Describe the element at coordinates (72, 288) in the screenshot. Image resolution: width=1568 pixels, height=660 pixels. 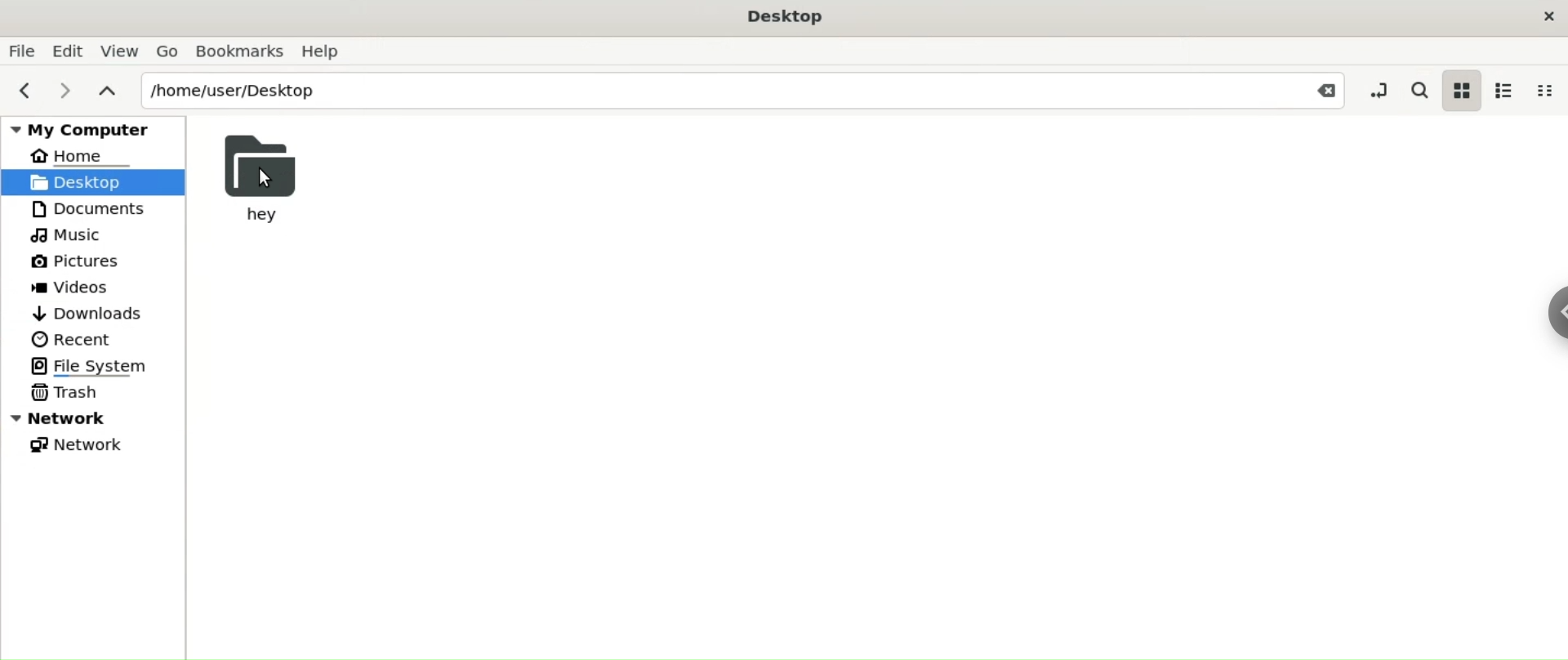
I see `Videos` at that location.